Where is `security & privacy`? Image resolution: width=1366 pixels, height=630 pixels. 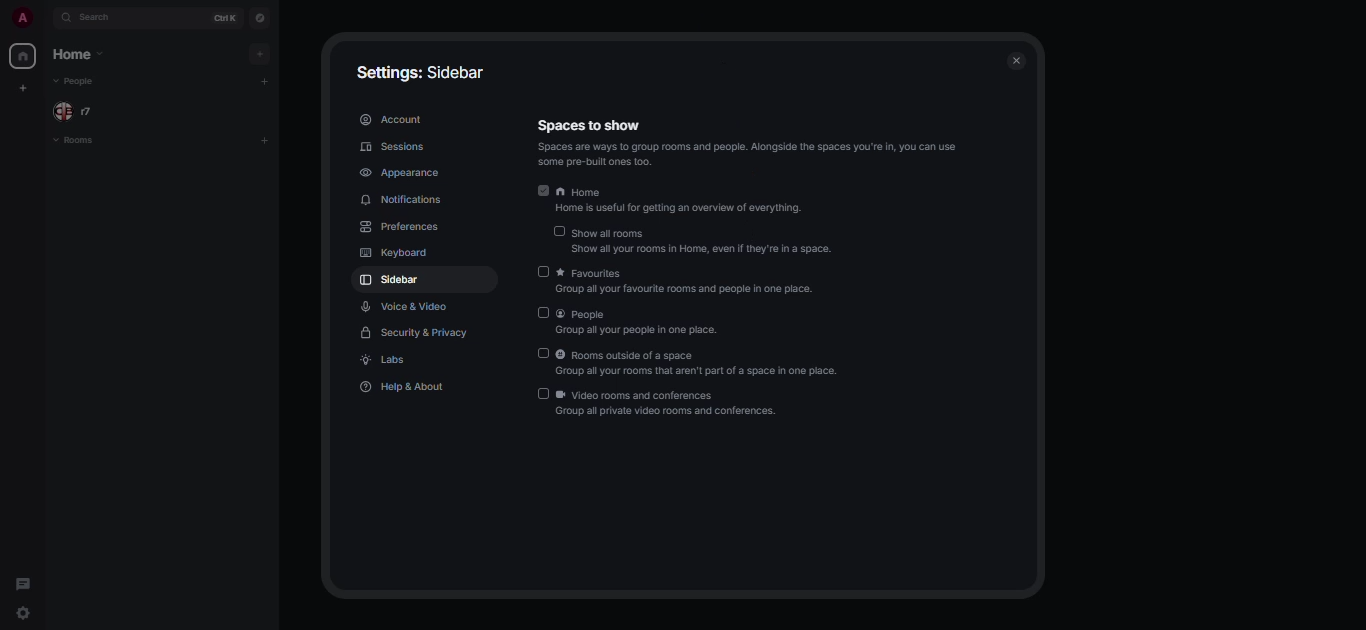
security & privacy is located at coordinates (416, 332).